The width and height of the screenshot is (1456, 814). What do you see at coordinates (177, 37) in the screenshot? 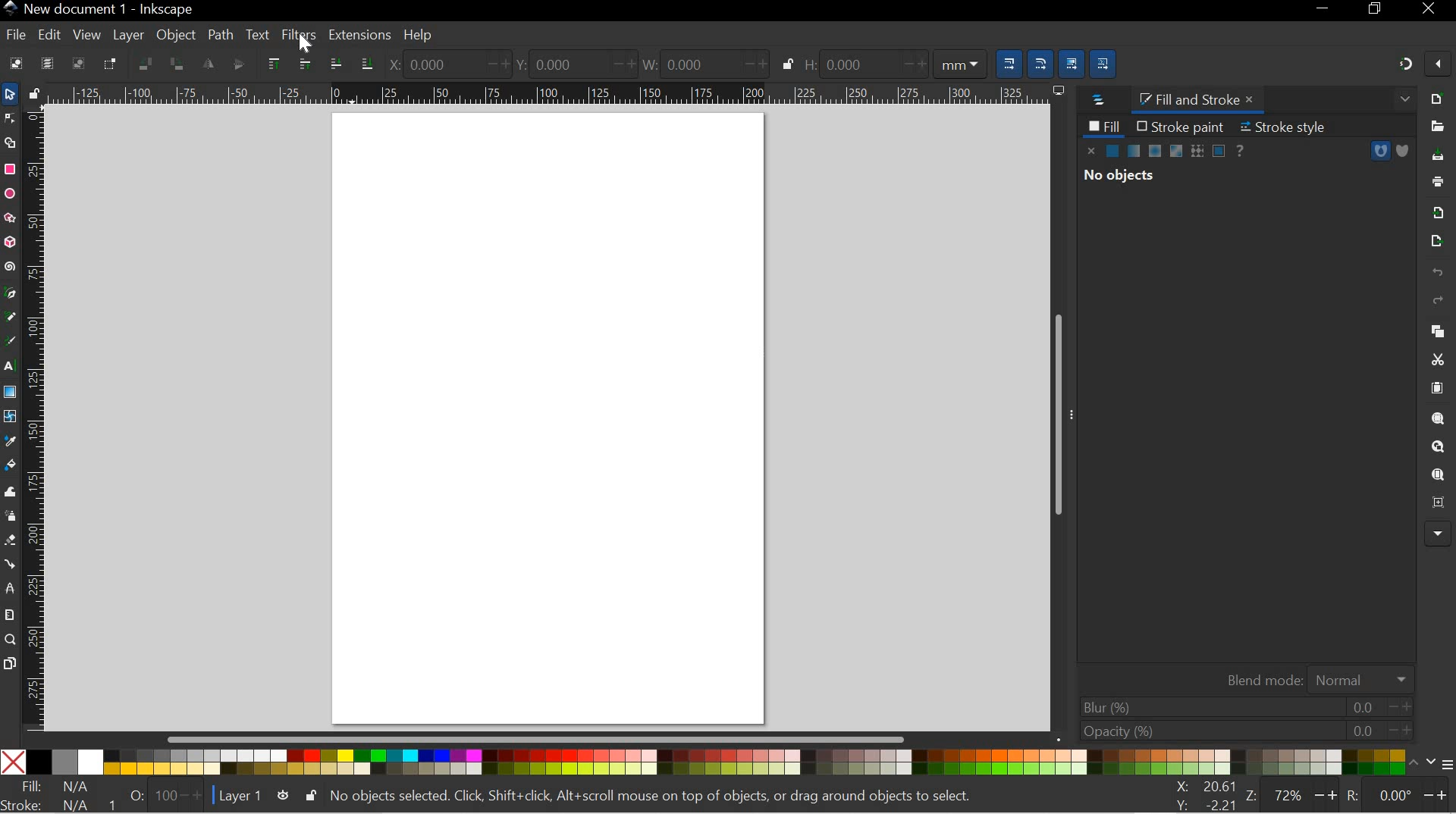
I see `OBJECT` at bounding box center [177, 37].